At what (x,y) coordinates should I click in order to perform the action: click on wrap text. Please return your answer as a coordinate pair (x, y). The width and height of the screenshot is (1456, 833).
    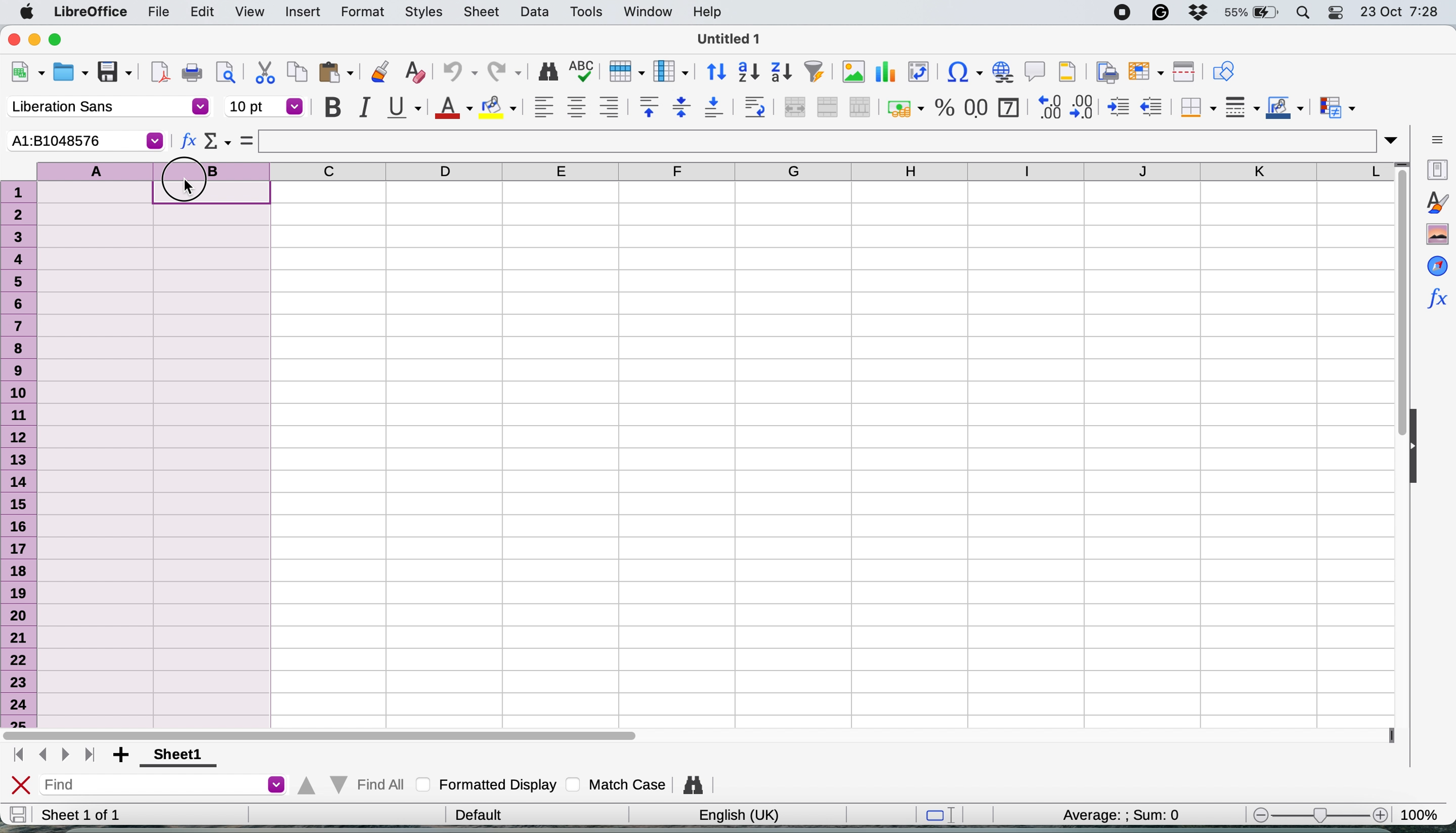
    Looking at the image, I should click on (758, 107).